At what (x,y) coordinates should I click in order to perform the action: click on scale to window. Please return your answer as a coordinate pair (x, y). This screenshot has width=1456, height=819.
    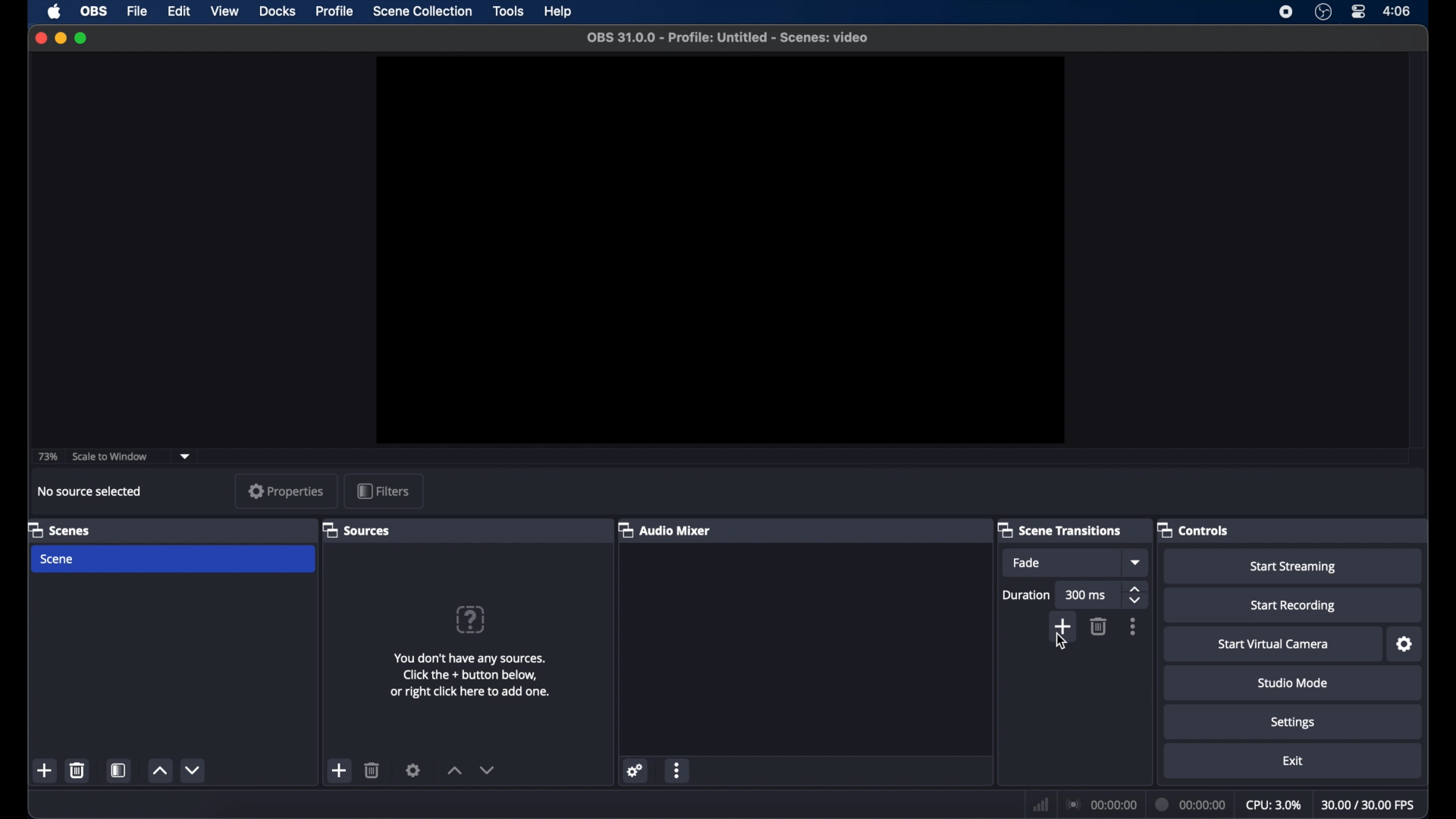
    Looking at the image, I should click on (110, 455).